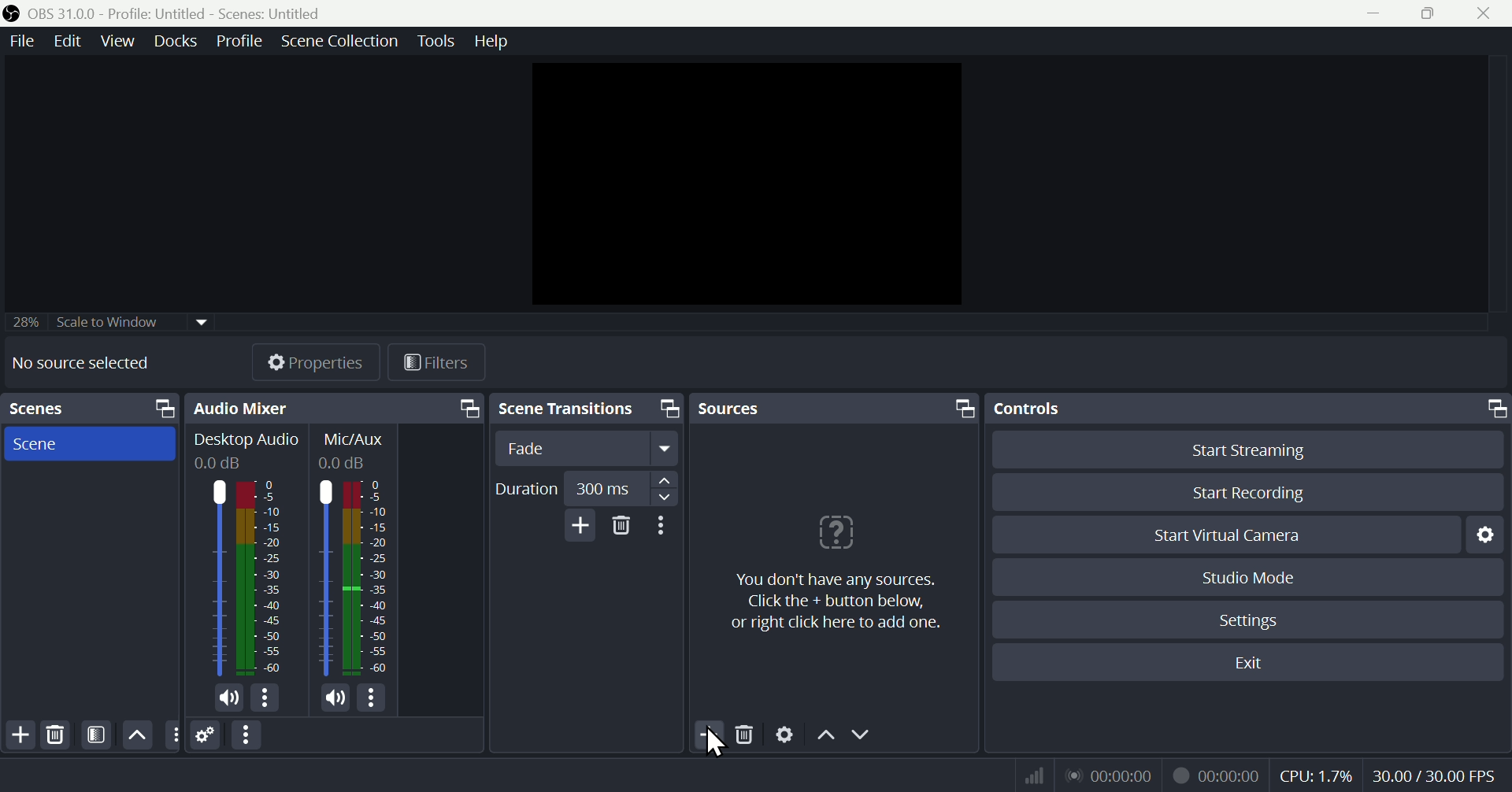  What do you see at coordinates (314, 362) in the screenshot?
I see `Properties` at bounding box center [314, 362].